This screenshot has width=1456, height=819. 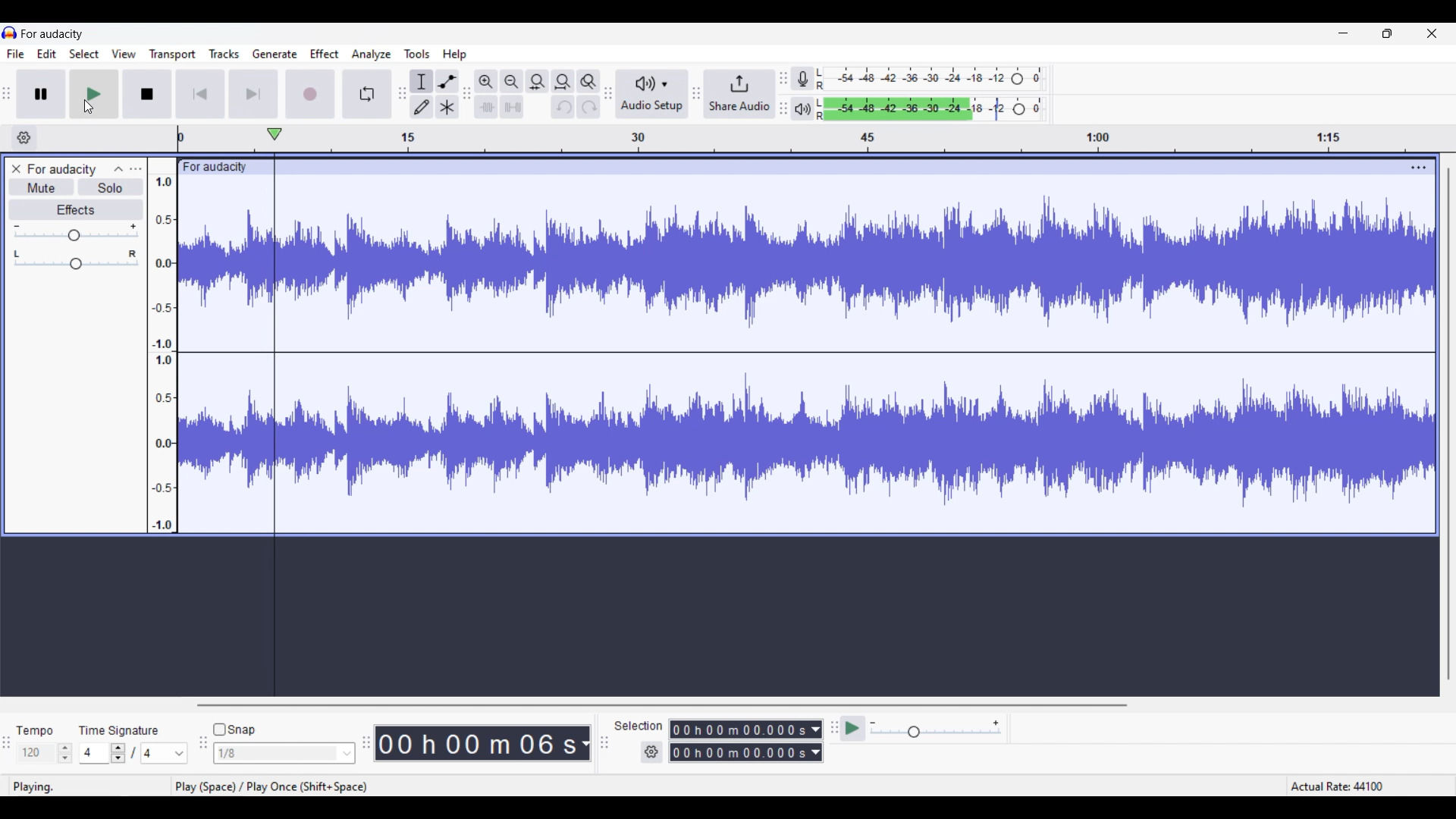 What do you see at coordinates (563, 107) in the screenshot?
I see `Undo` at bounding box center [563, 107].